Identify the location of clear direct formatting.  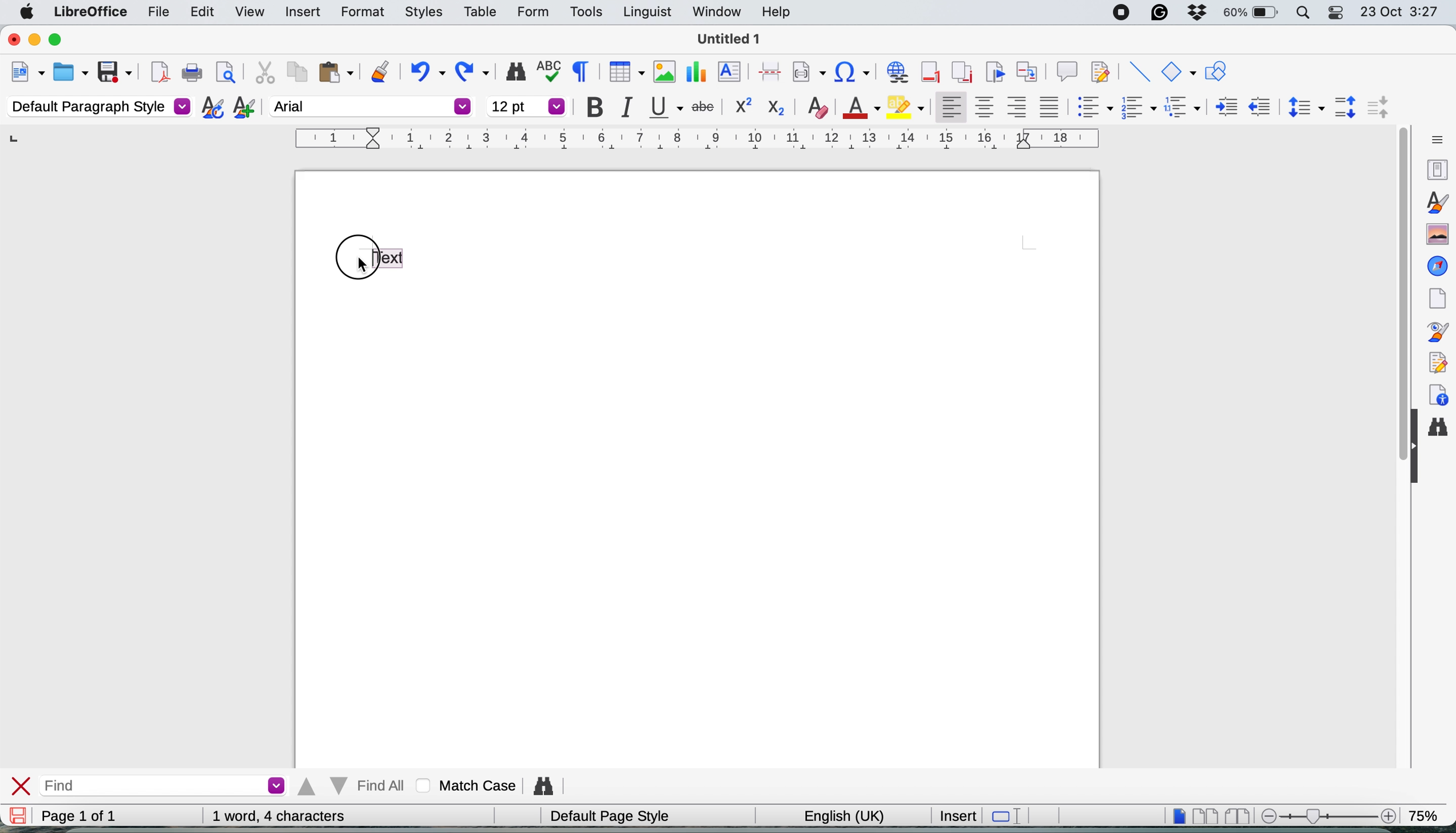
(818, 108).